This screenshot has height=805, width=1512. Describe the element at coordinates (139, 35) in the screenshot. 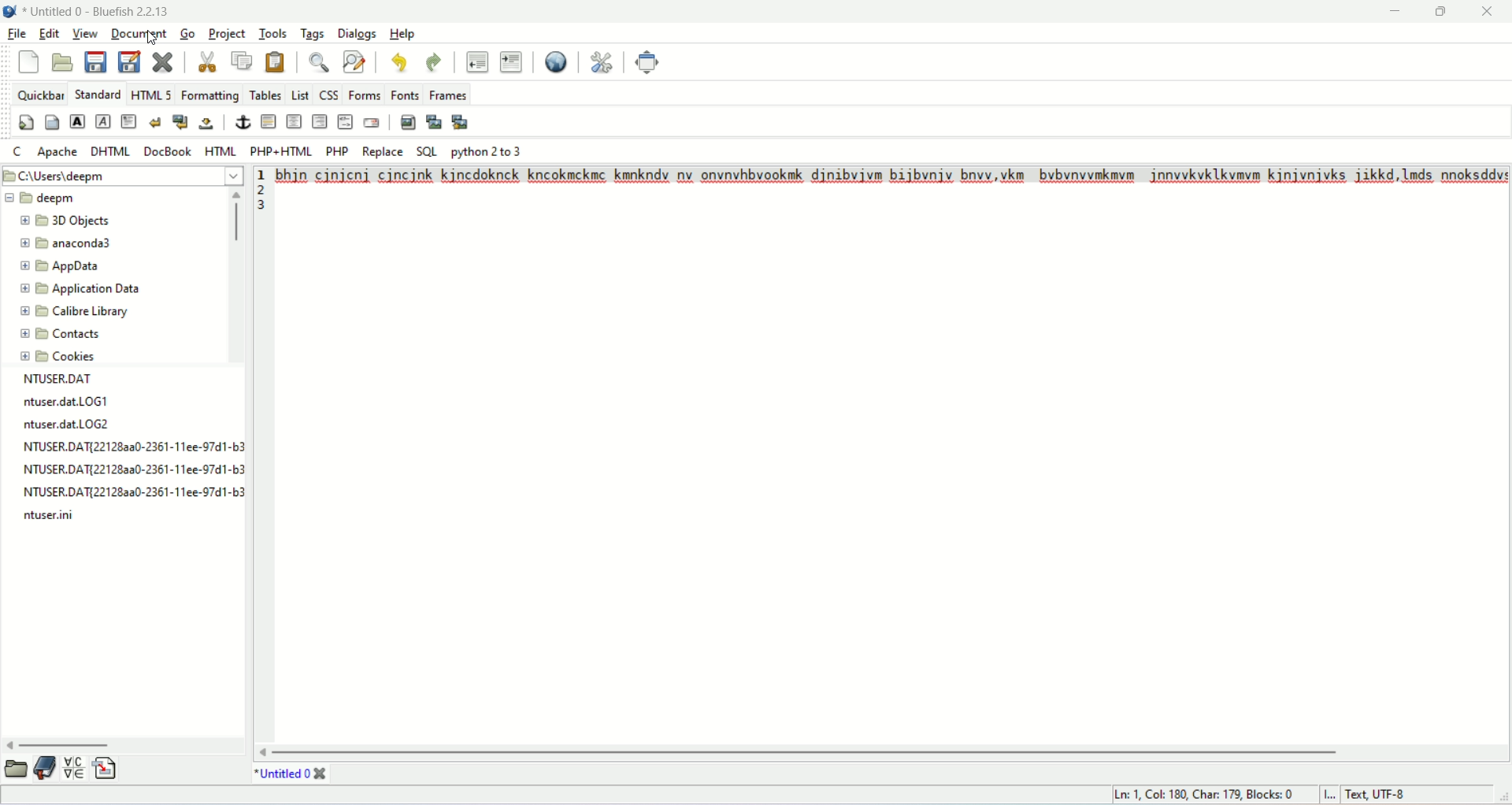

I see `document` at that location.